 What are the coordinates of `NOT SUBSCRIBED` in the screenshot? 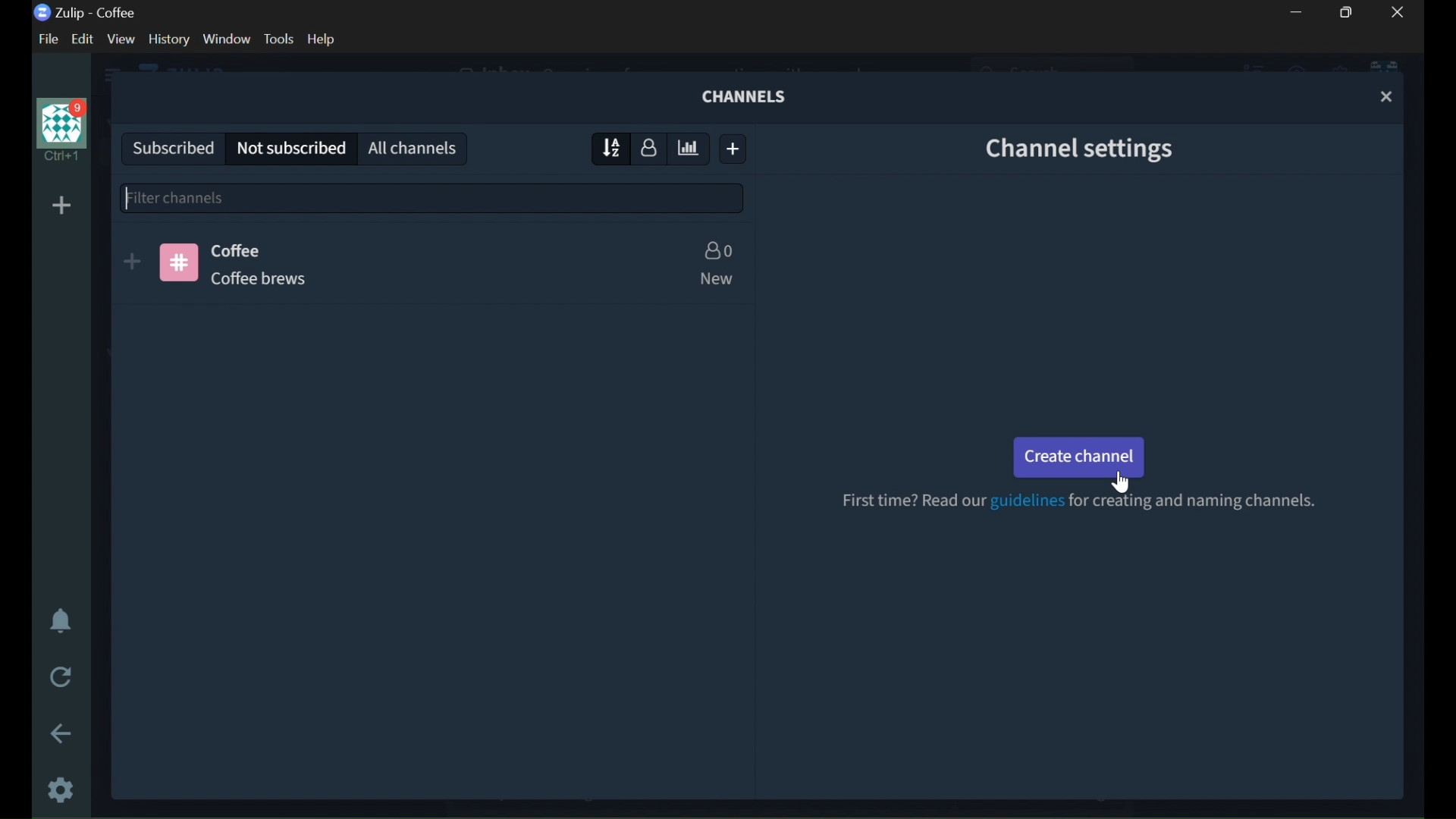 It's located at (291, 149).